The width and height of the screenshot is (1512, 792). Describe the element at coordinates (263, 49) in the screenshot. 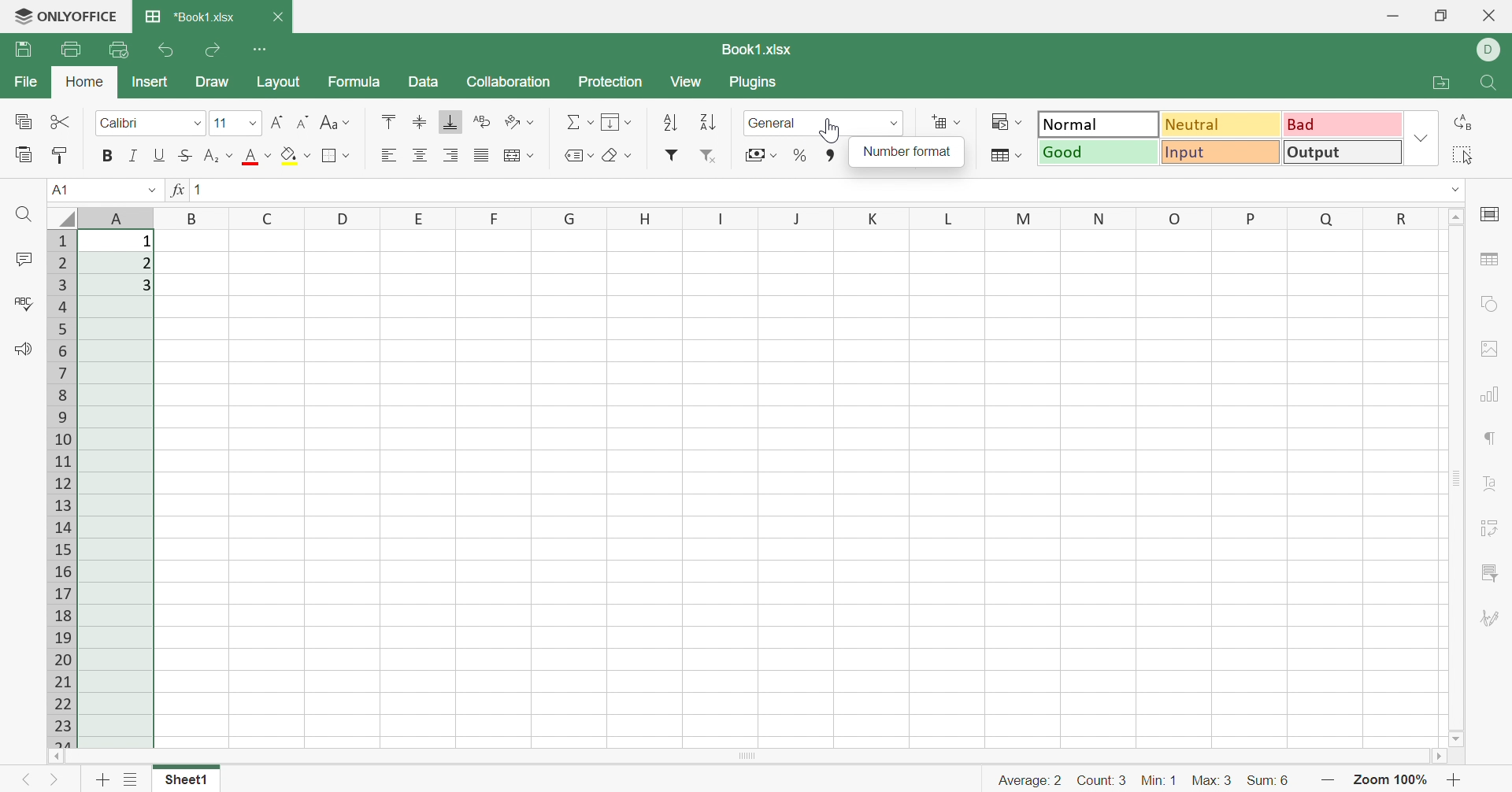

I see `Customize Quick Access Toolbar` at that location.